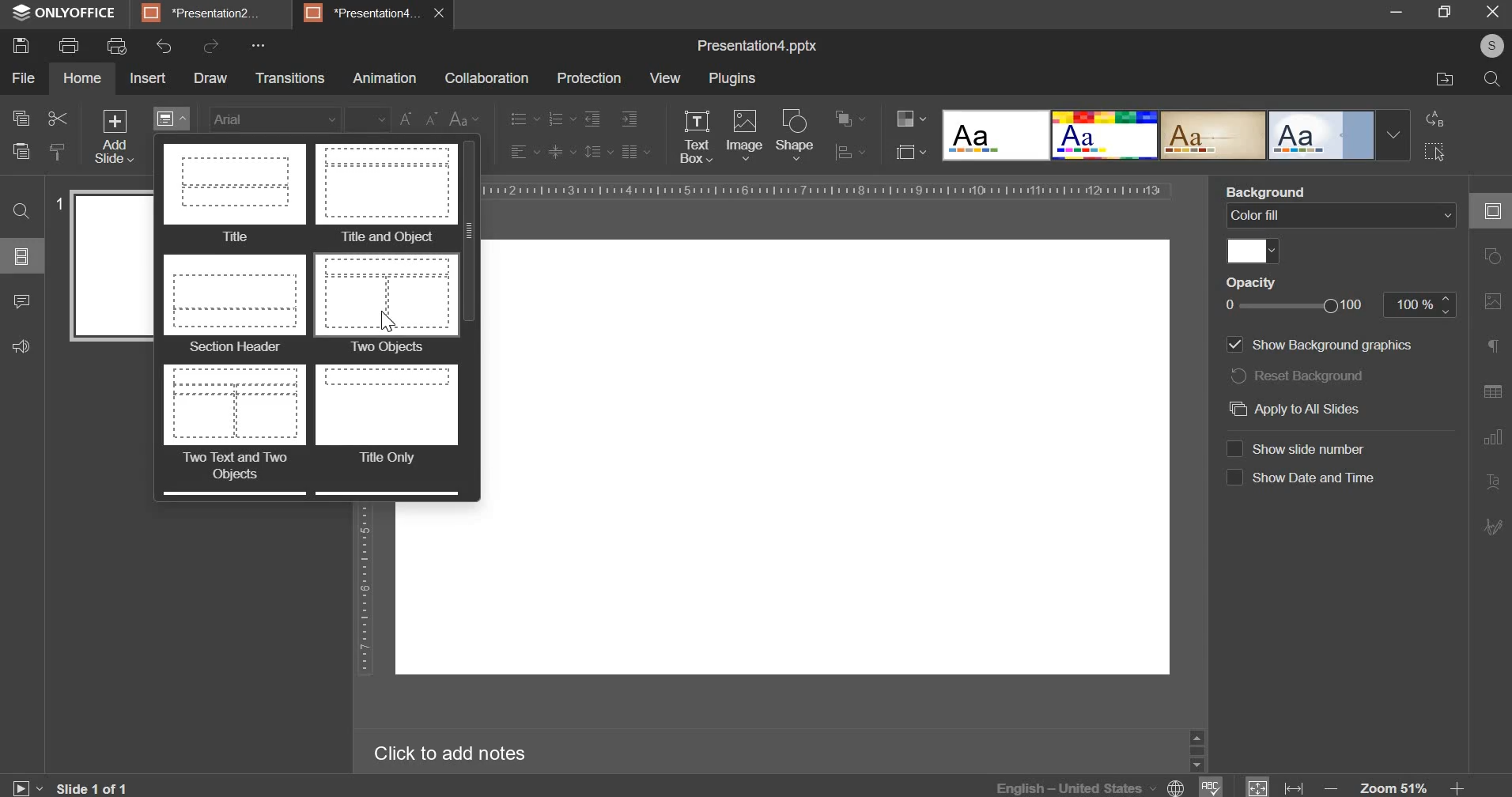 Image resolution: width=1512 pixels, height=797 pixels. Describe the element at coordinates (1494, 258) in the screenshot. I see `shape setting` at that location.